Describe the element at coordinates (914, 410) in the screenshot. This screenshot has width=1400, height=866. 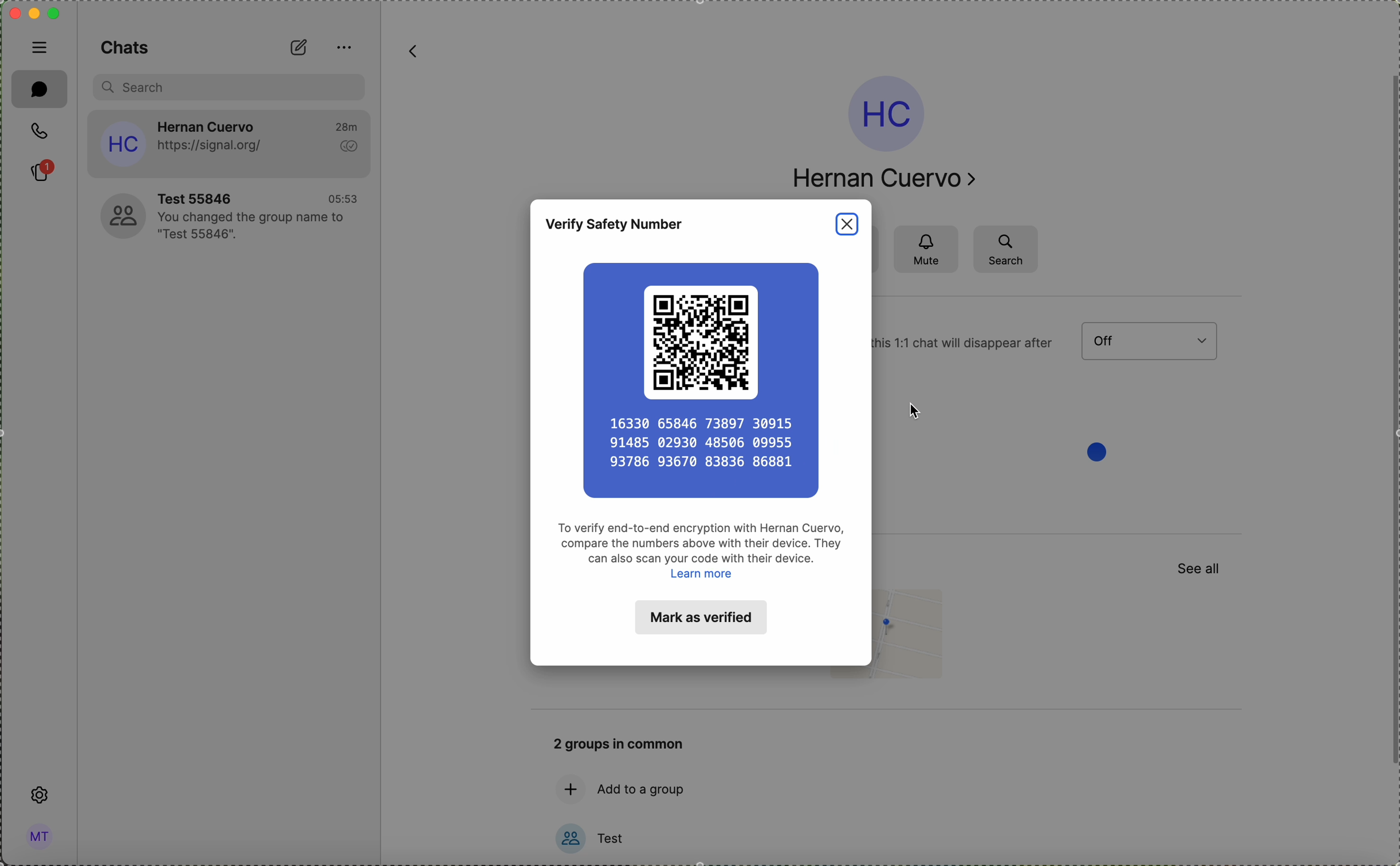
I see `cursor` at that location.